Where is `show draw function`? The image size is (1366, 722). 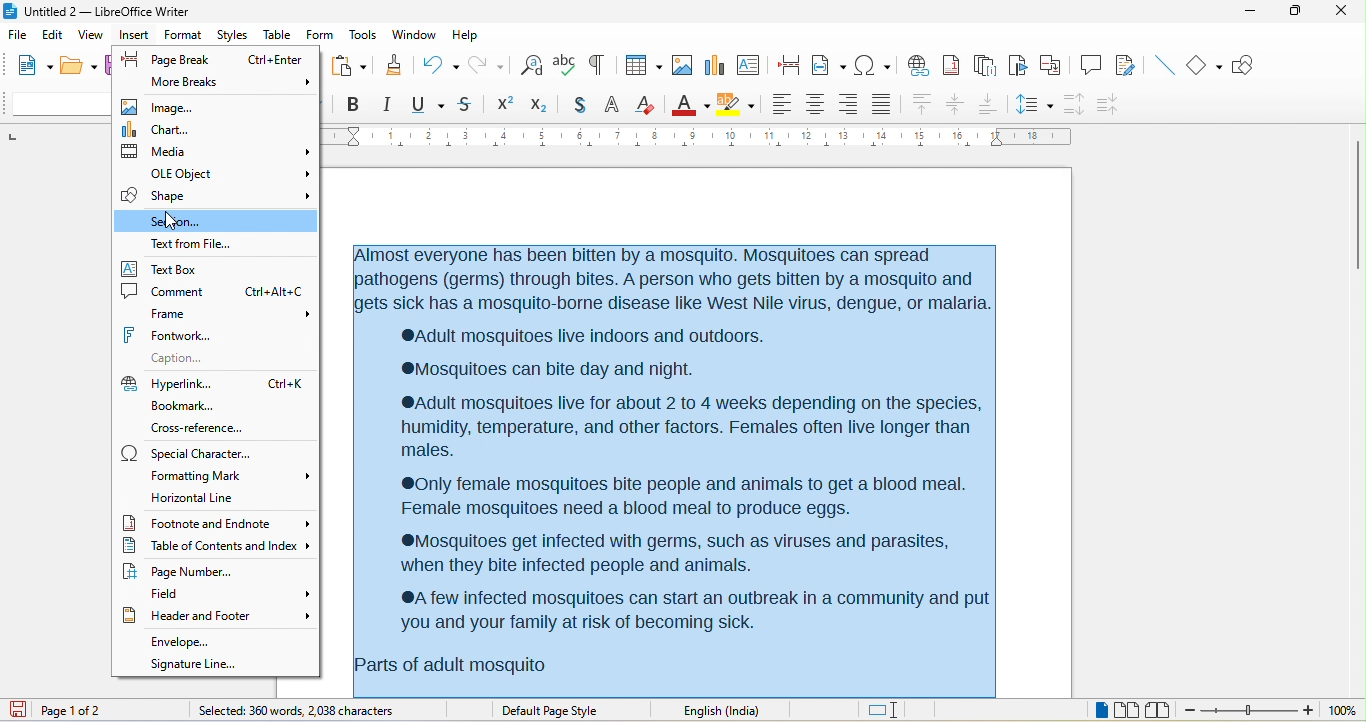 show draw function is located at coordinates (1244, 65).